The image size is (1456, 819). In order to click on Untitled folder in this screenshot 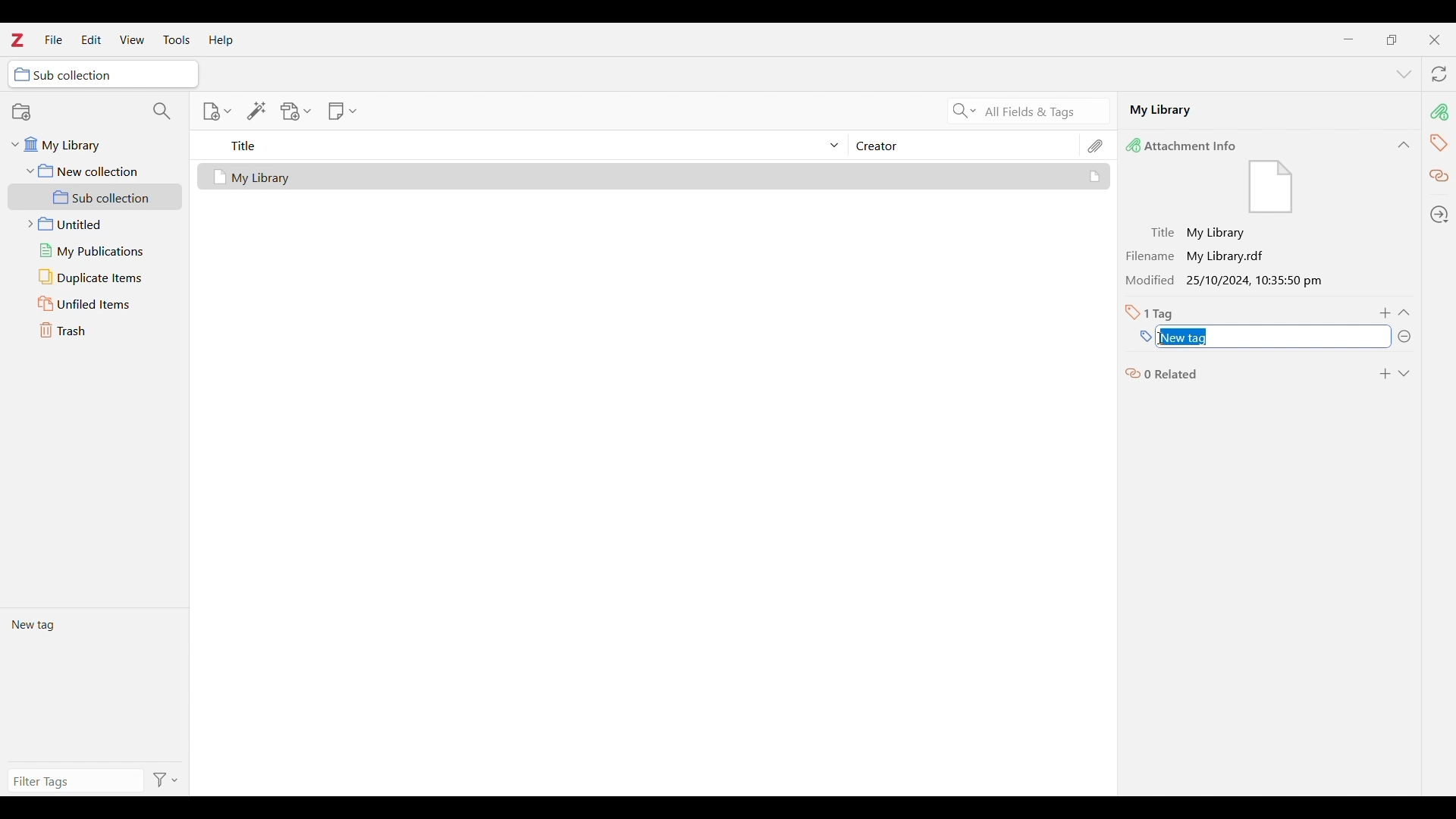, I will do `click(92, 222)`.